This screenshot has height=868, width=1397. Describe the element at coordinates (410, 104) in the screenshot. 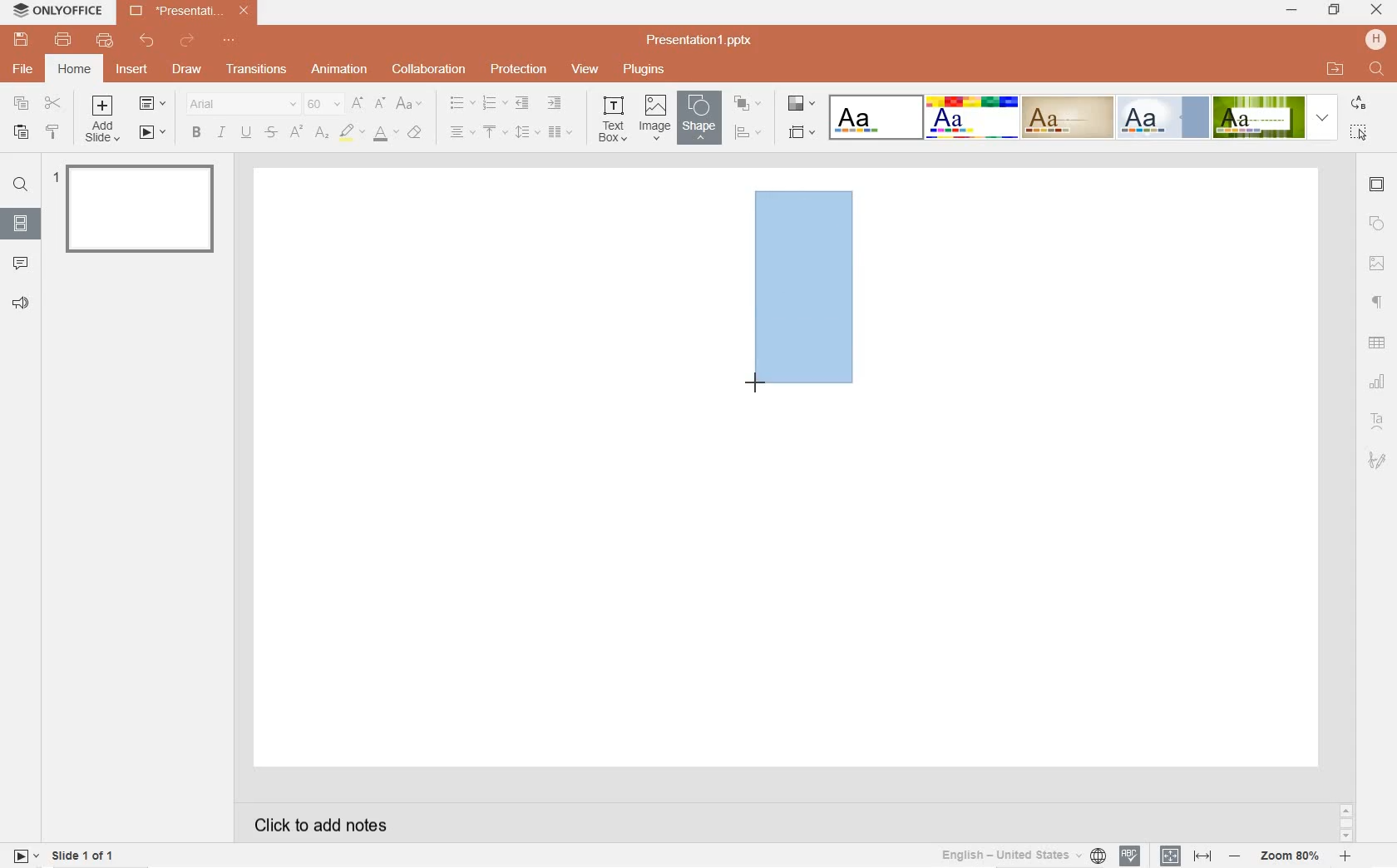

I see `change case` at that location.